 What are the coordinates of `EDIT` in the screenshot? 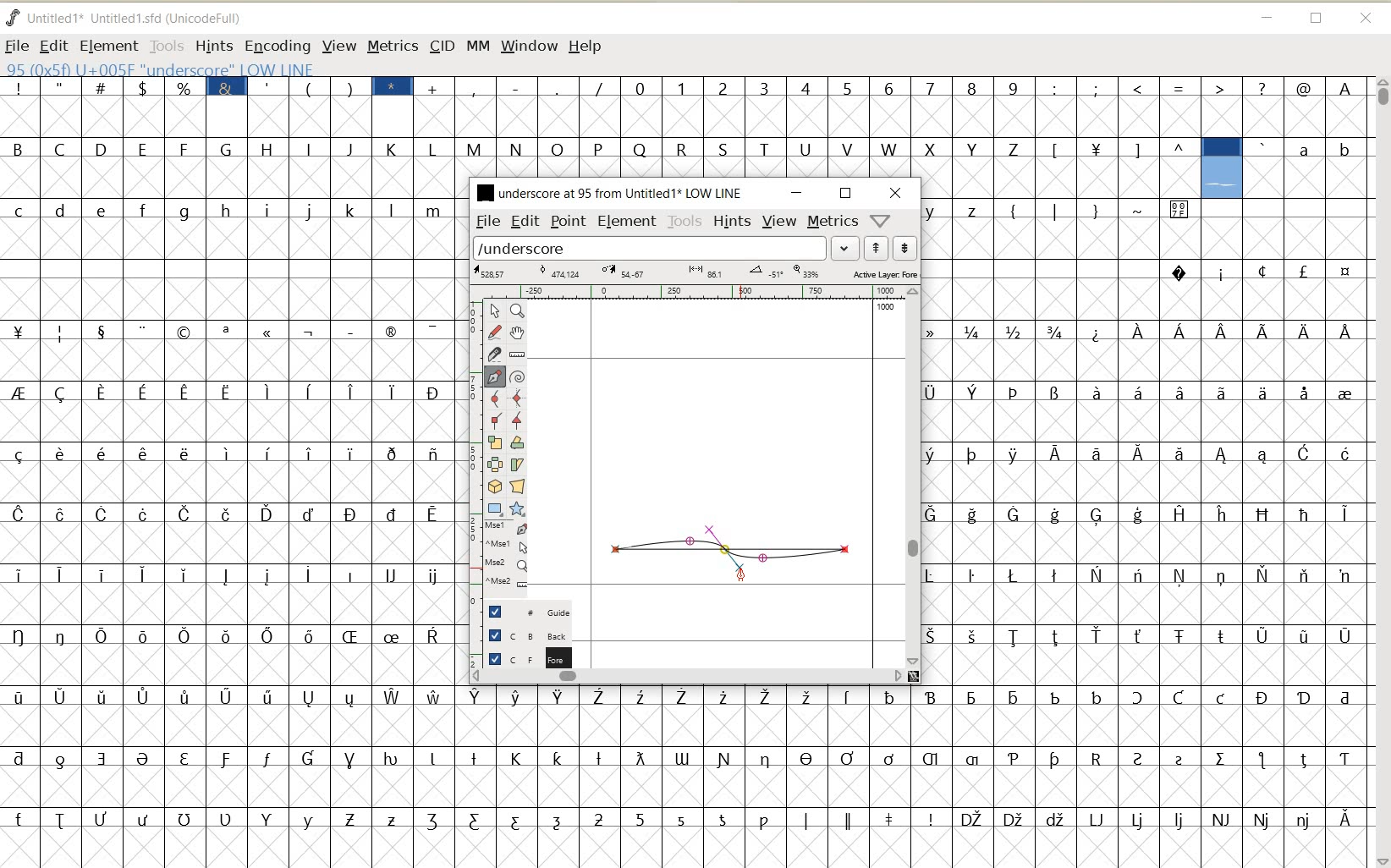 It's located at (525, 221).